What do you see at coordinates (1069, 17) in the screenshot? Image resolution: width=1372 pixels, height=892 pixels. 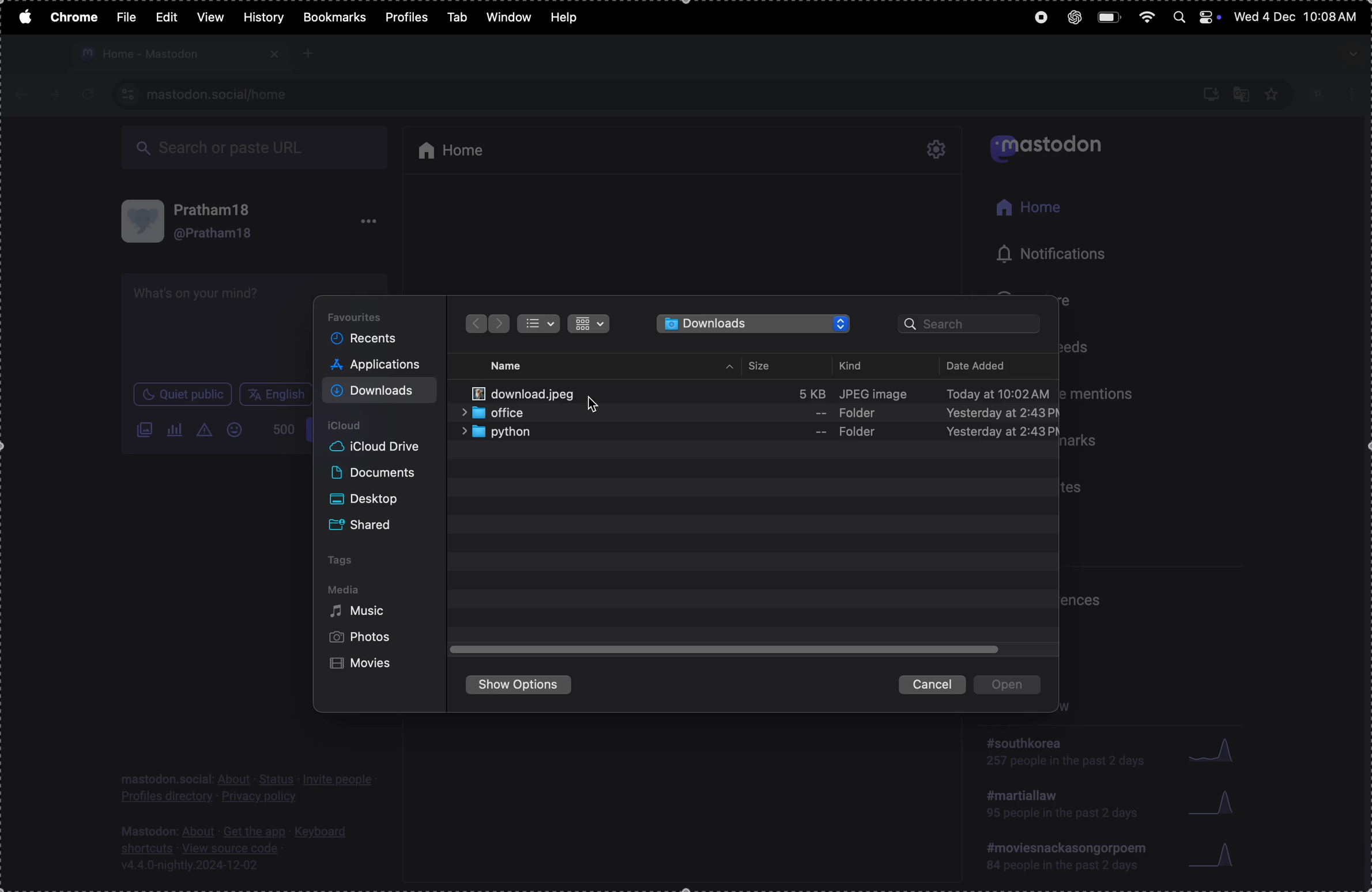 I see `chatgpt` at bounding box center [1069, 17].